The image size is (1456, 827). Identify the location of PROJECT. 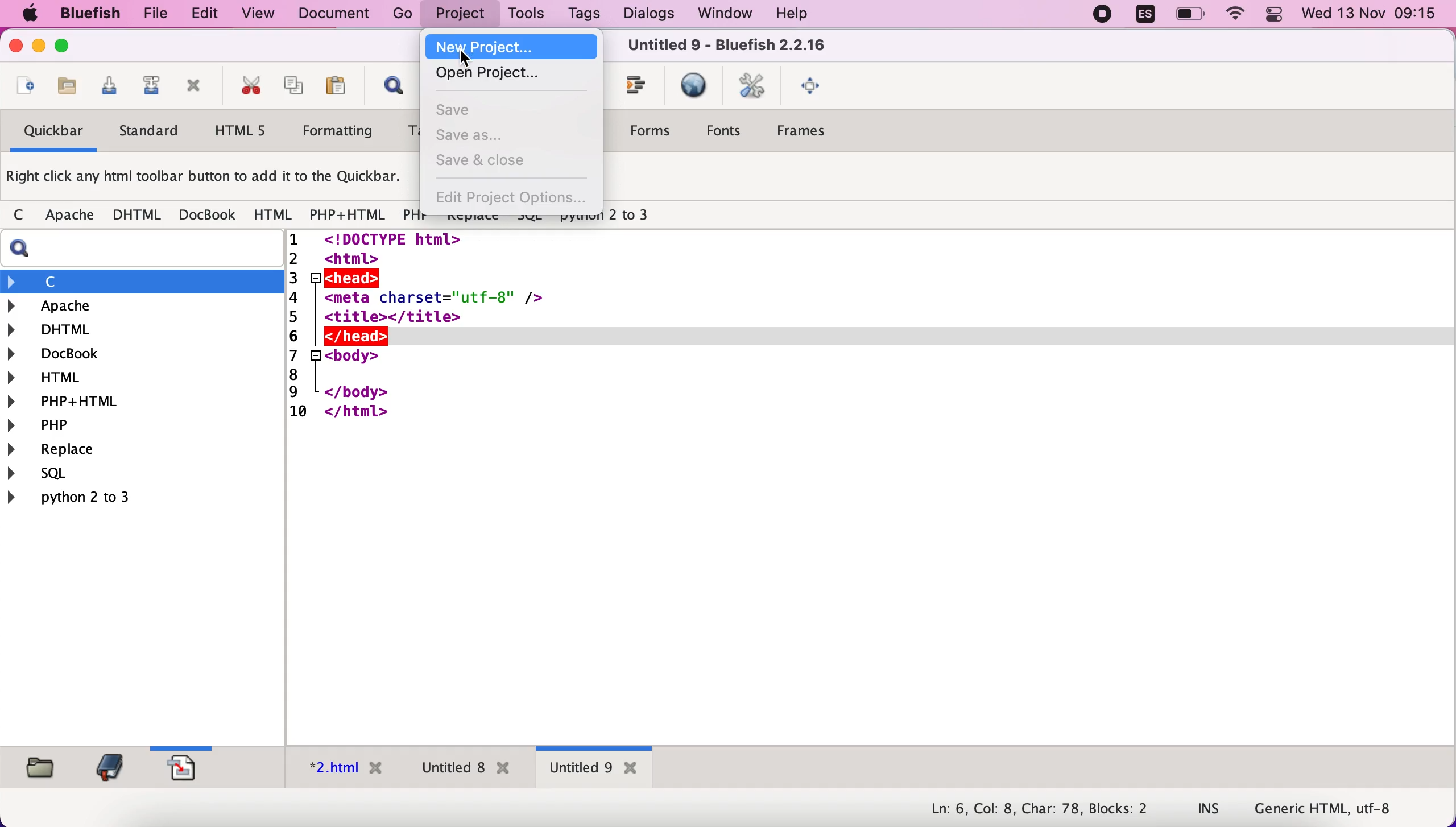
(464, 14).